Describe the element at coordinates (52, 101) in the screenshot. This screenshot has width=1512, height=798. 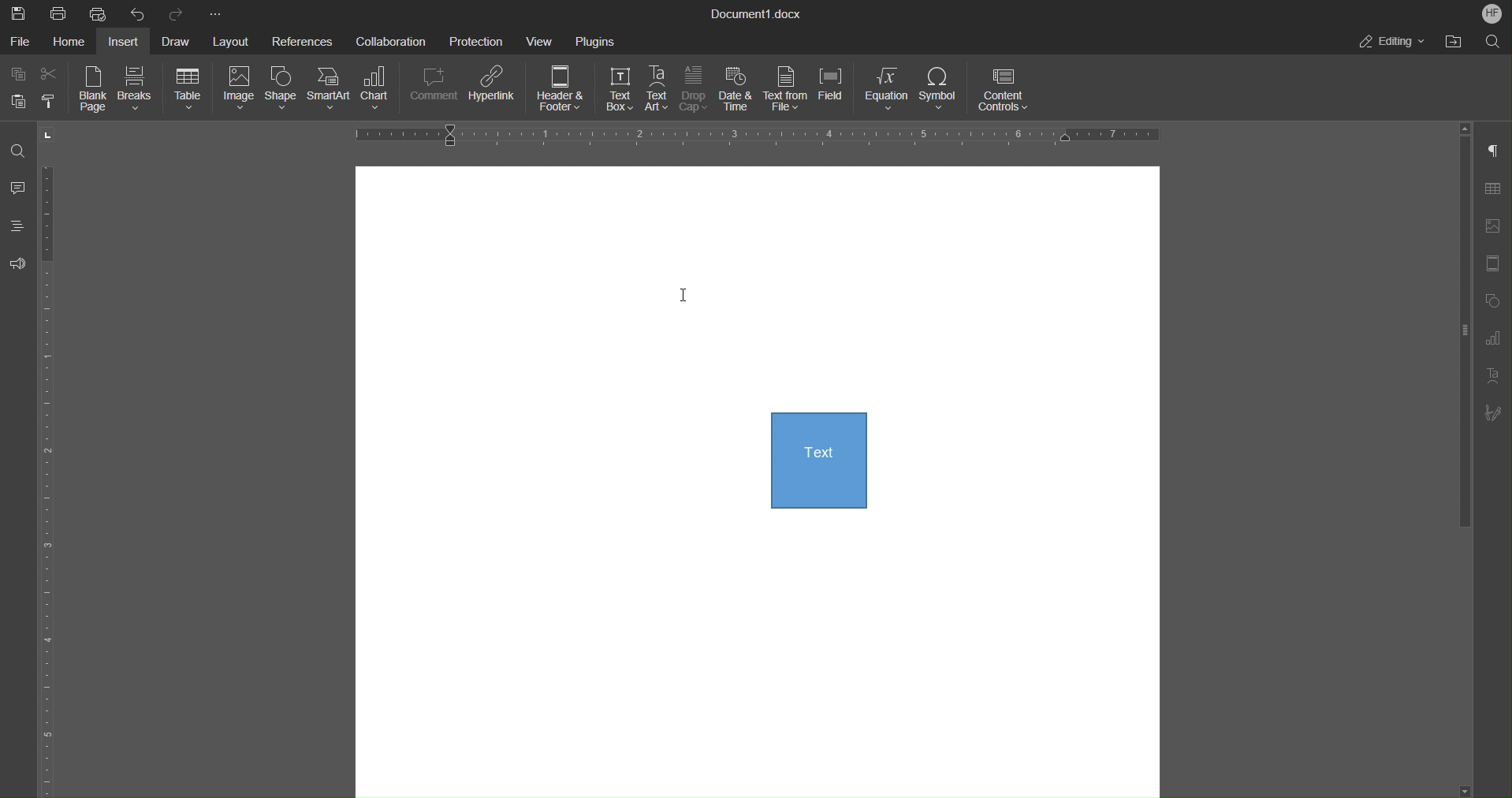
I see `Copy Style` at that location.